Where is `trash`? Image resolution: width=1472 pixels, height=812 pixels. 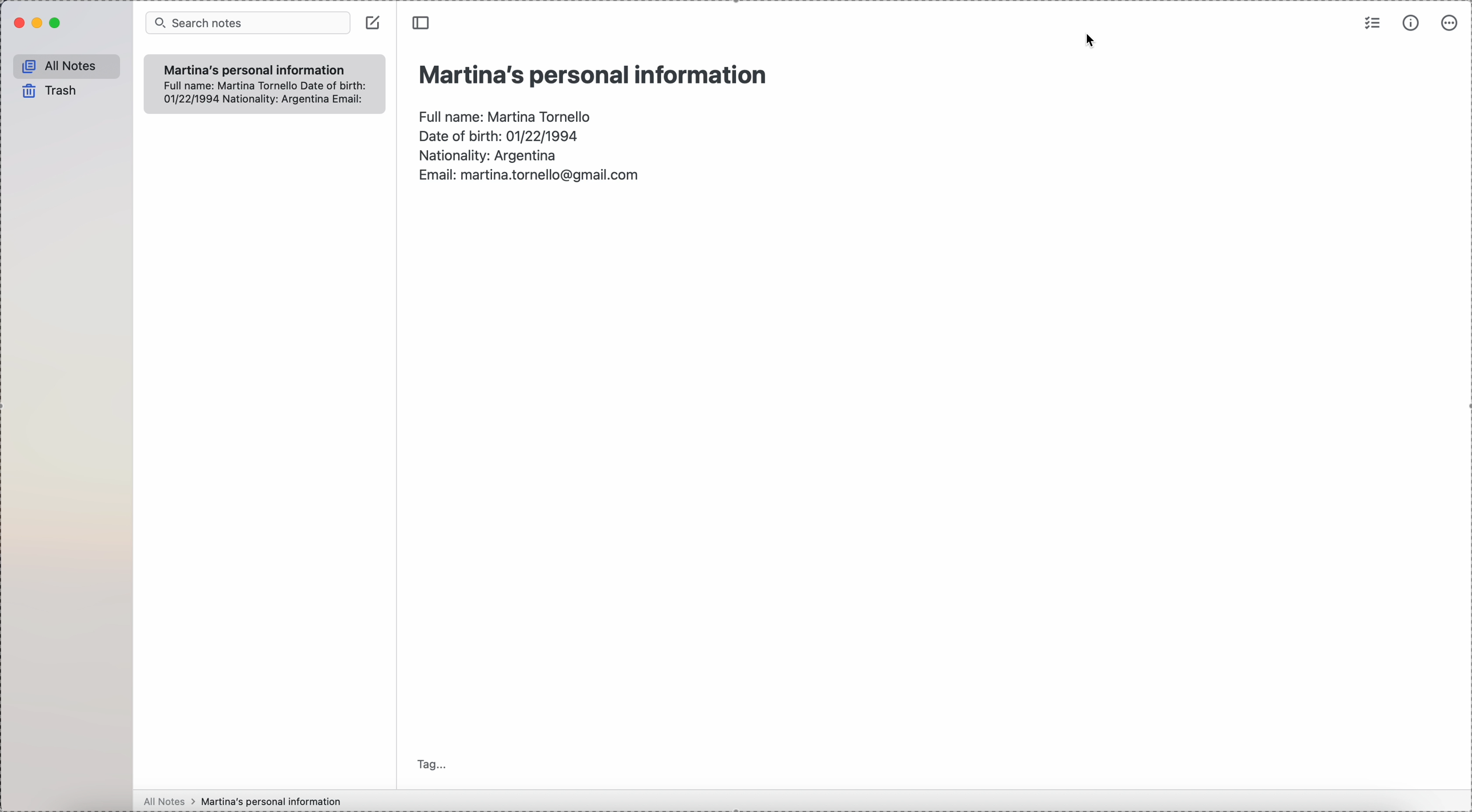 trash is located at coordinates (47, 90).